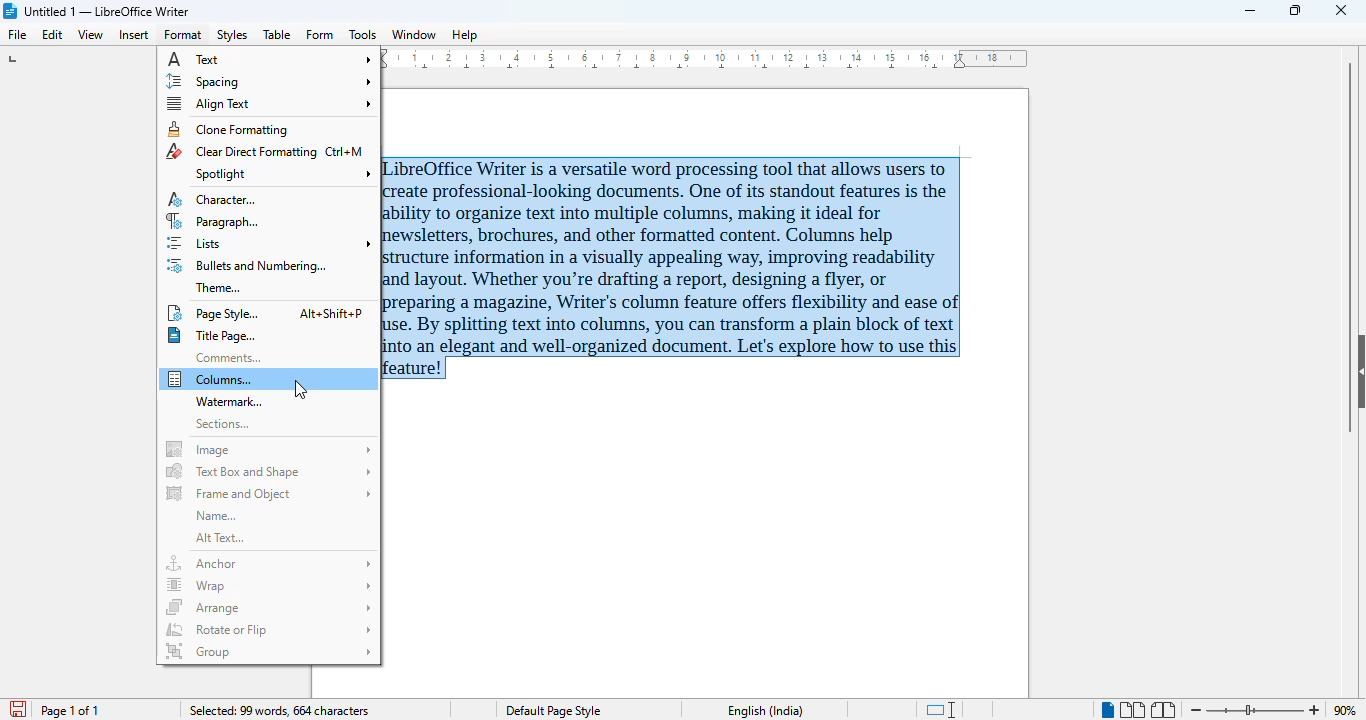  What do you see at coordinates (11, 11) in the screenshot?
I see `LibreOffice logo` at bounding box center [11, 11].